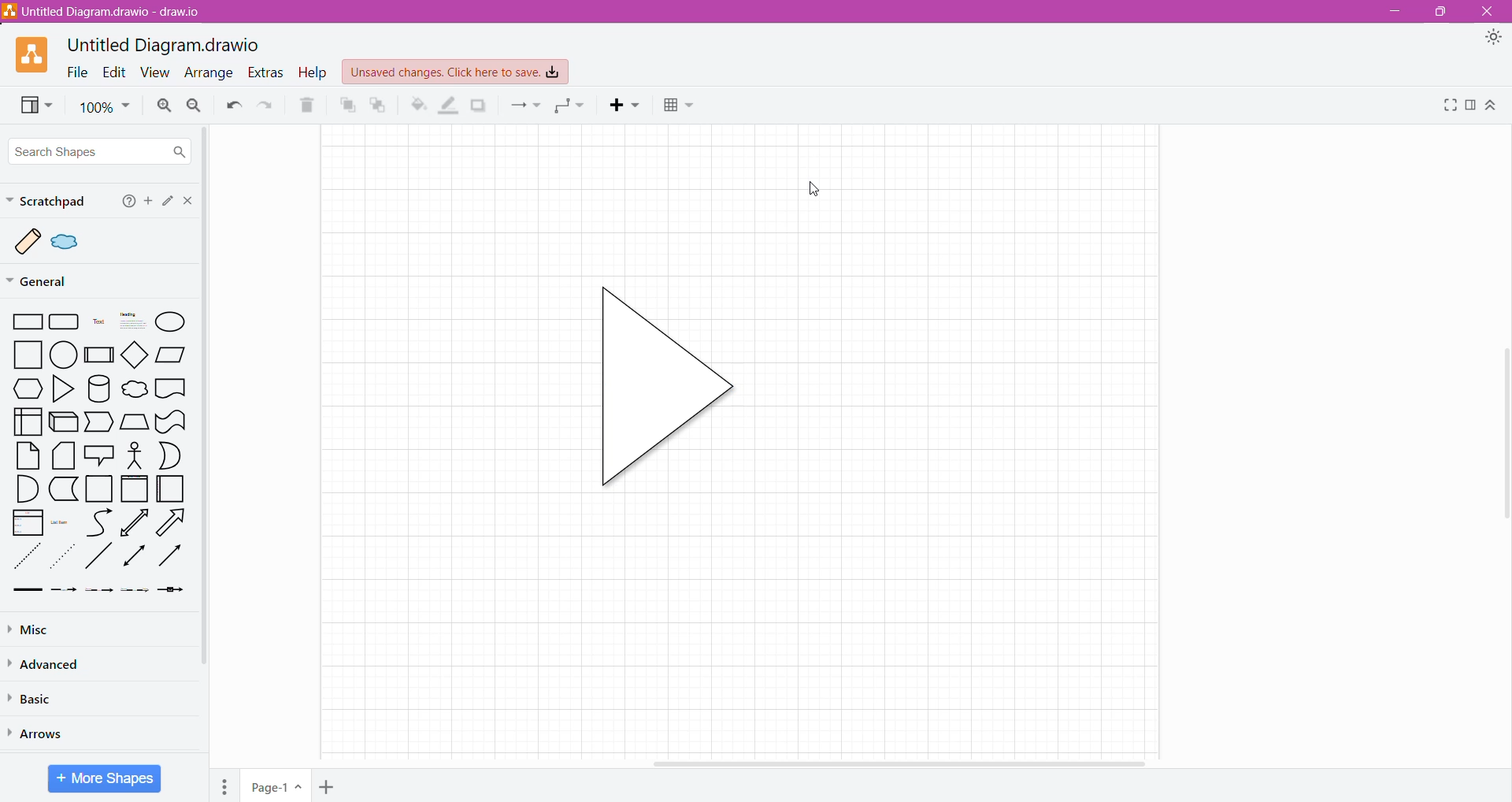  I want to click on Page Name, so click(274, 785).